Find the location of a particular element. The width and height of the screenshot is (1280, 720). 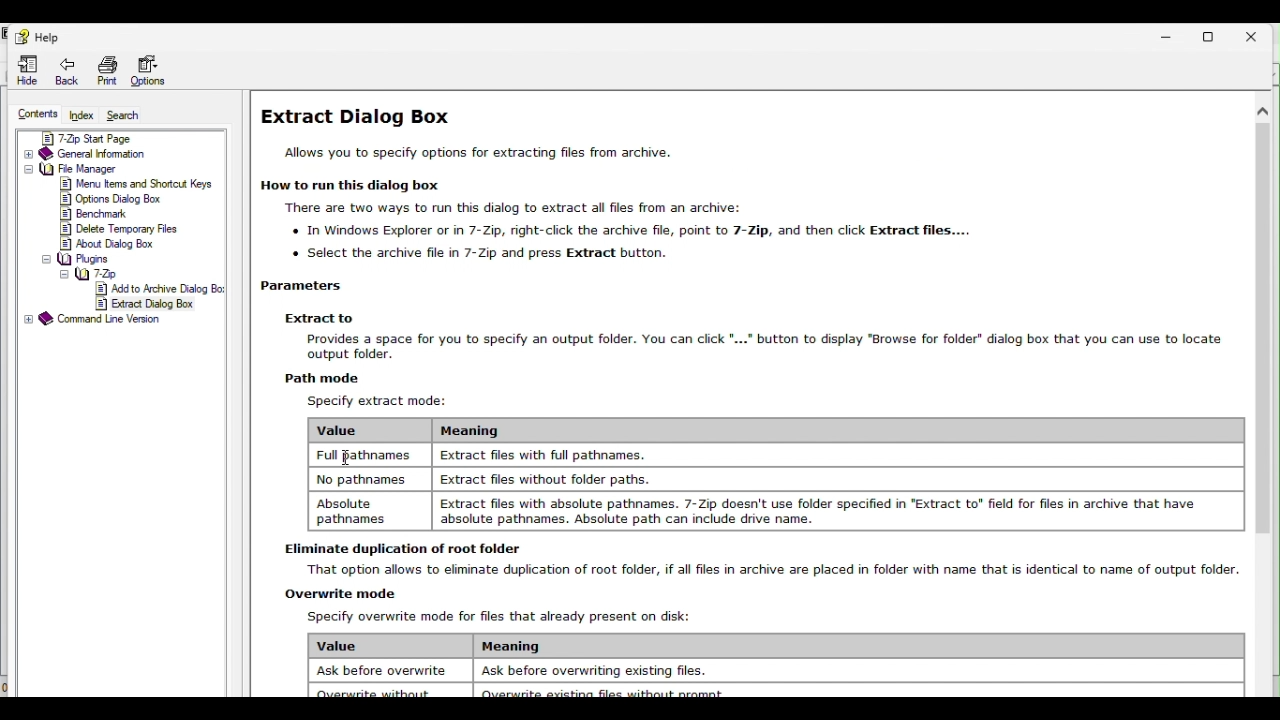

Minimize is located at coordinates (1165, 38).